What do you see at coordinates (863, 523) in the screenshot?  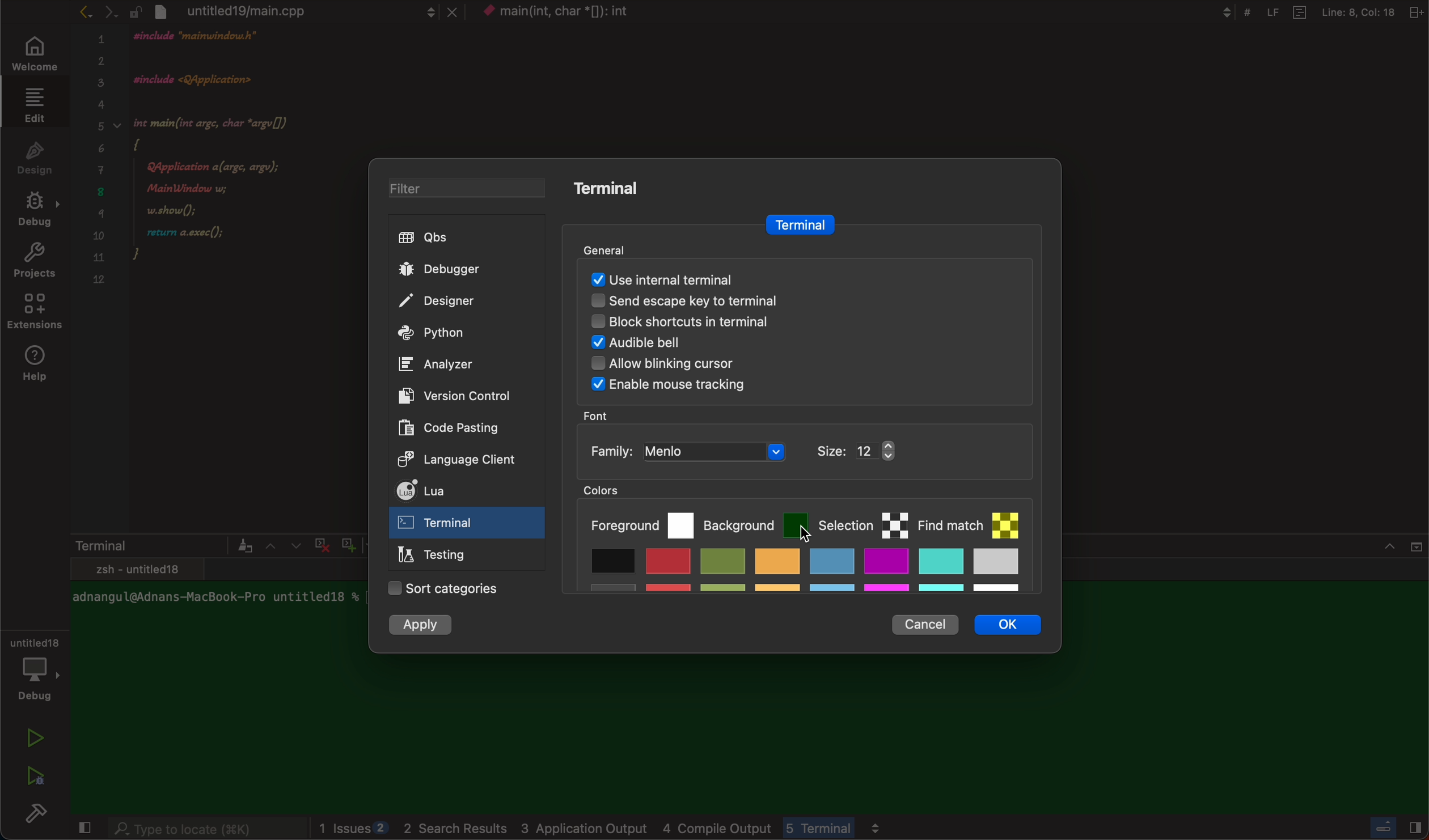 I see `selection` at bounding box center [863, 523].